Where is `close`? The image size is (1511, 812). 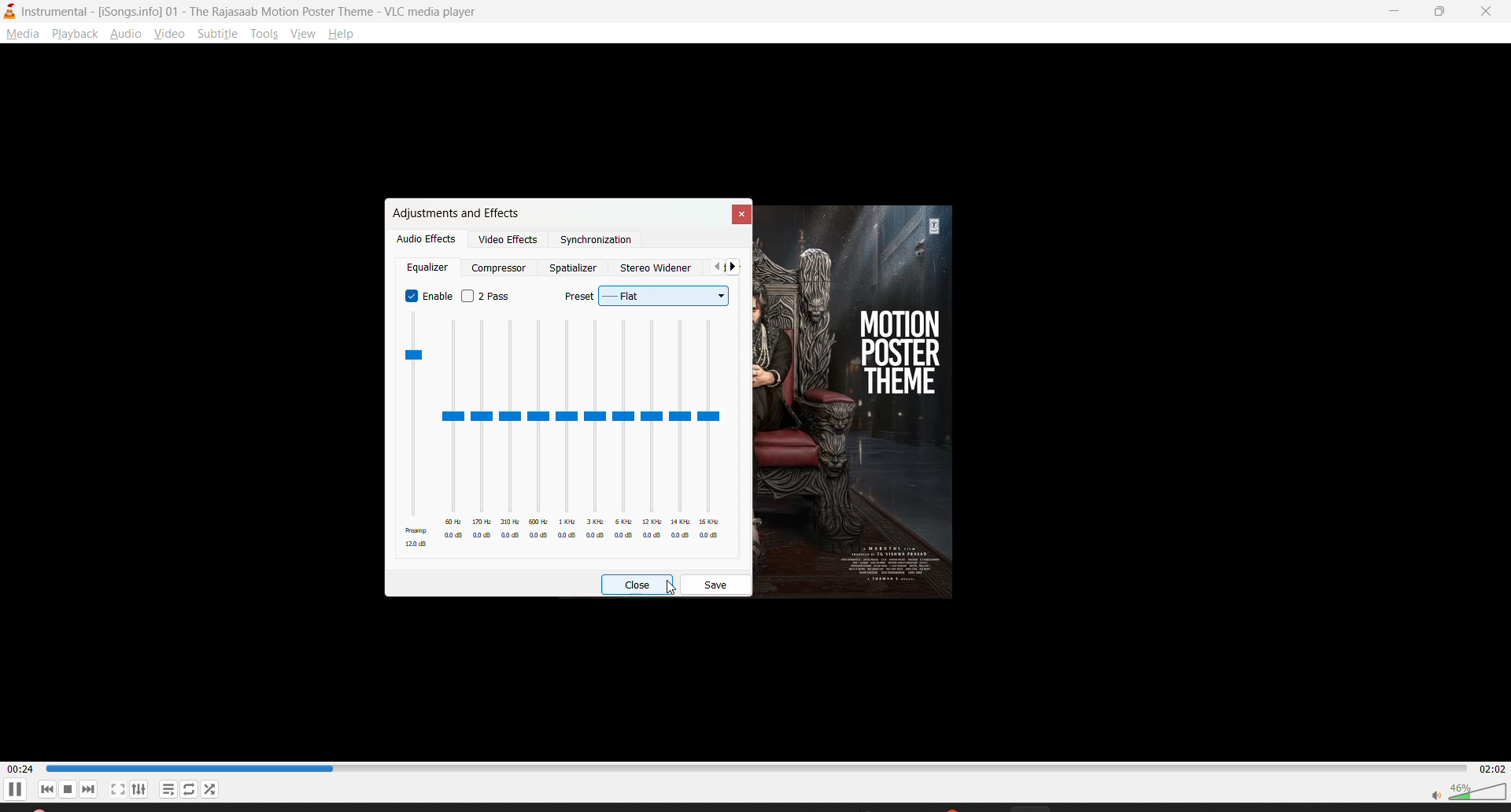 close is located at coordinates (1488, 12).